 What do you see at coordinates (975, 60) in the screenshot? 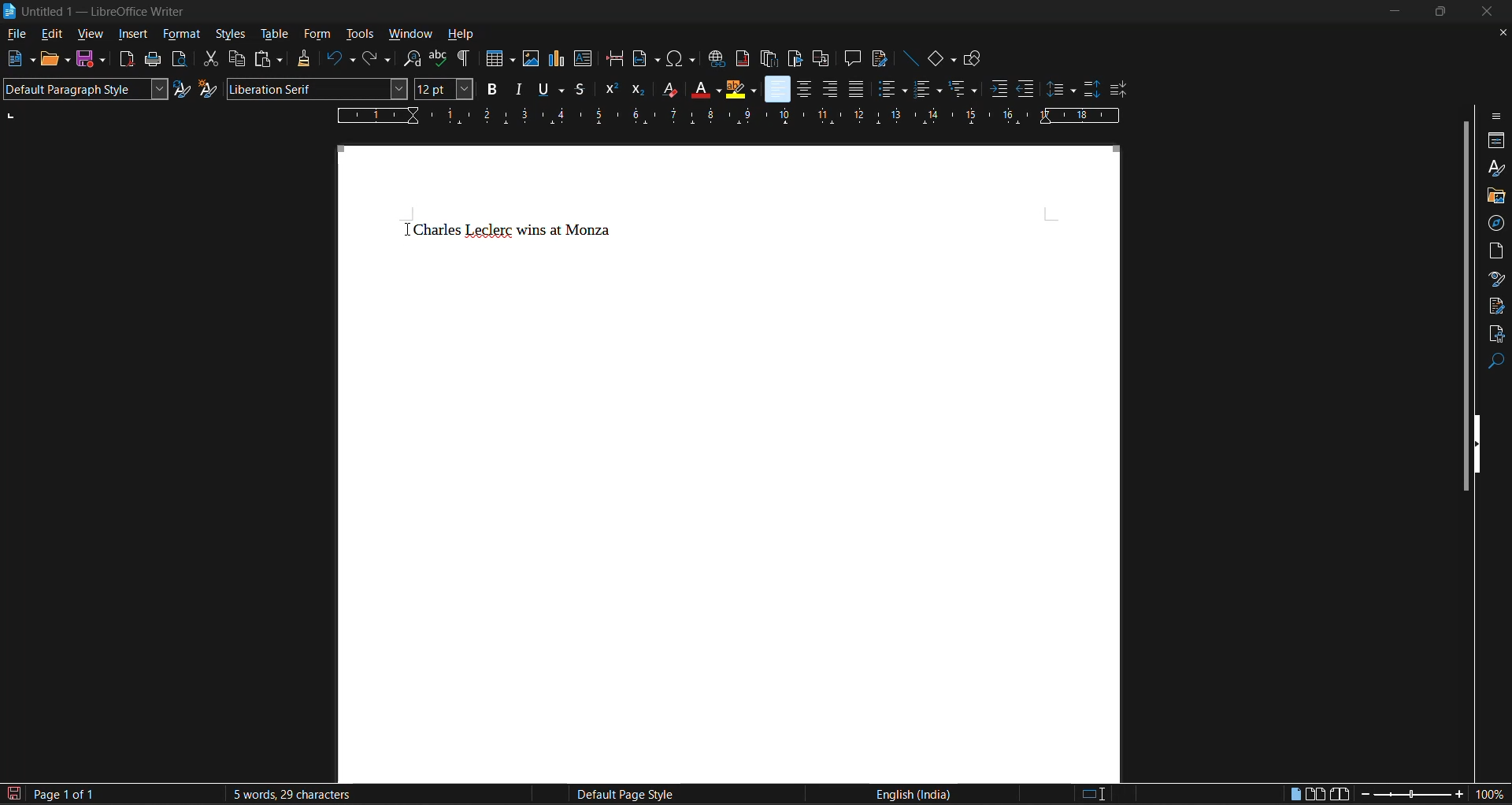
I see `show draw functions` at bounding box center [975, 60].